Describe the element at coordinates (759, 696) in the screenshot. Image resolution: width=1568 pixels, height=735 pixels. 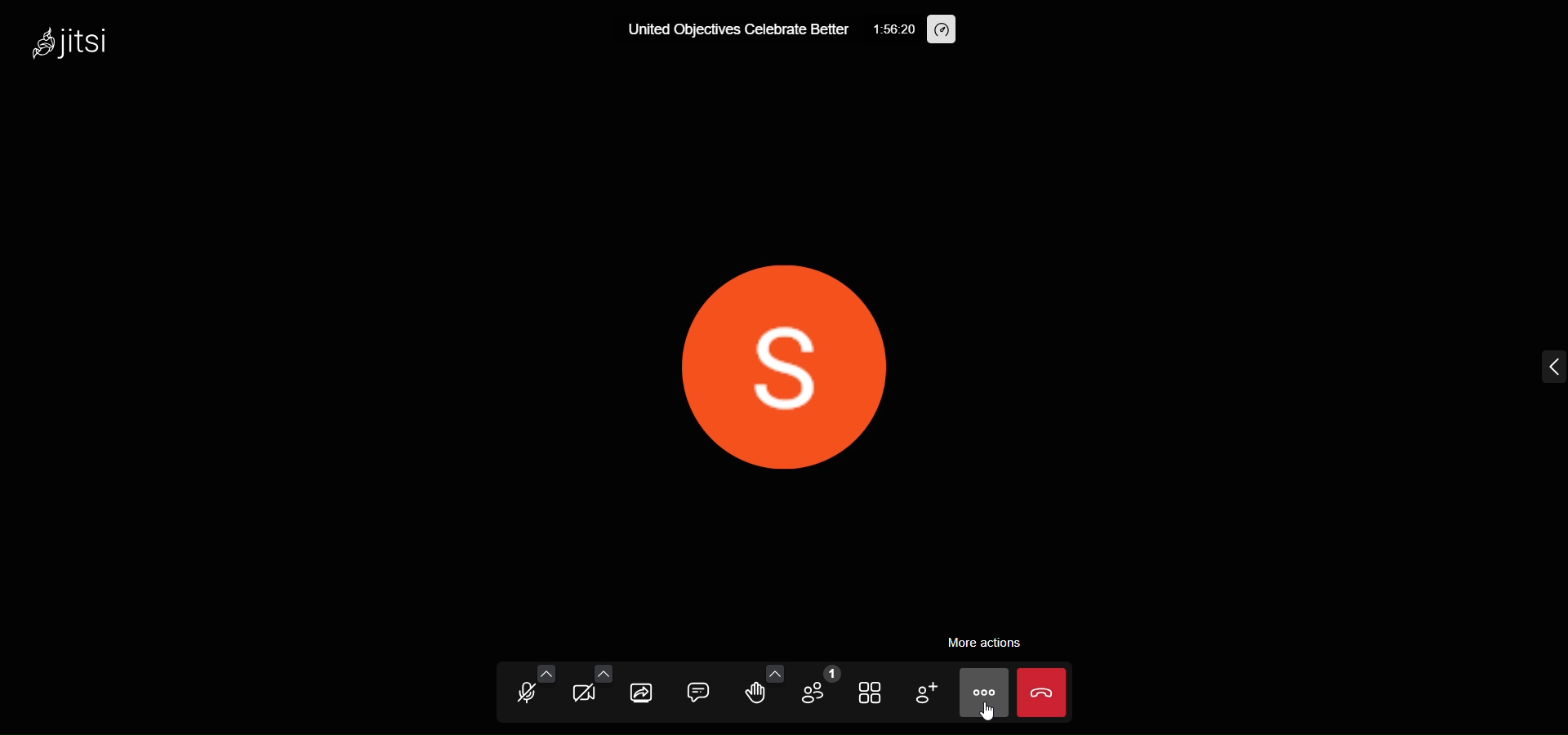
I see `raise hand` at that location.